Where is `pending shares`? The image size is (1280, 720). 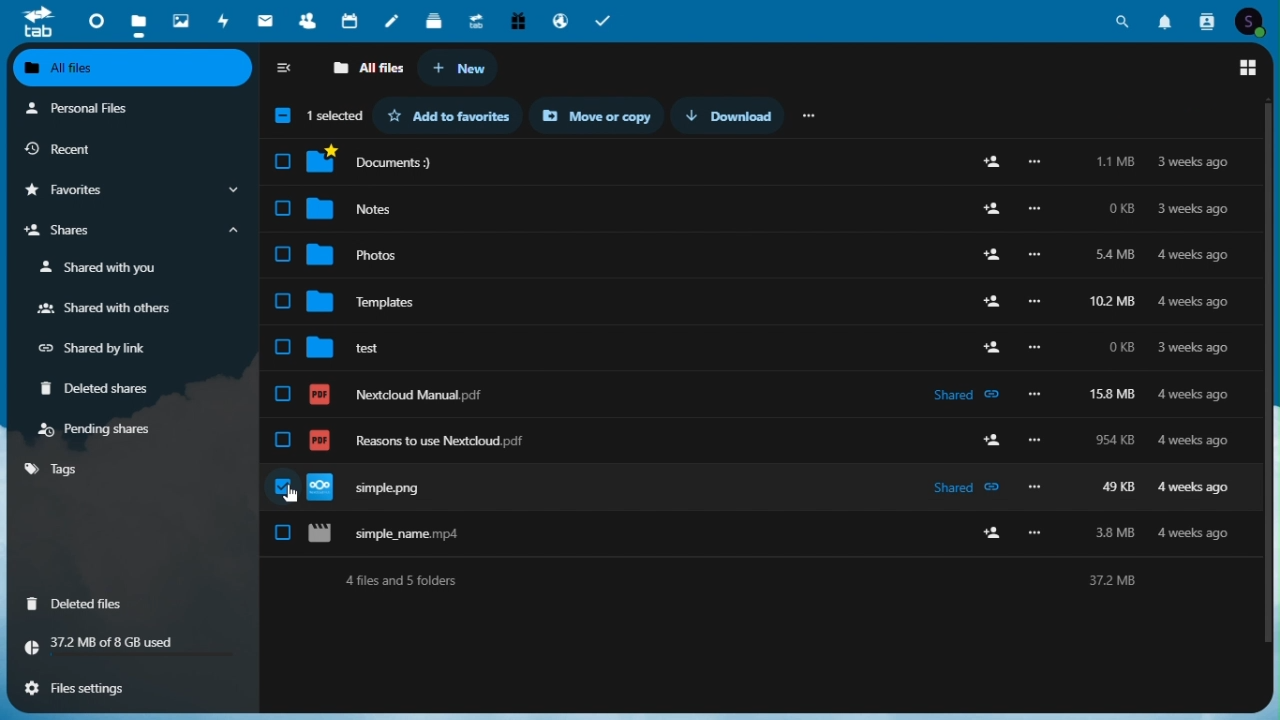 pending shares is located at coordinates (100, 429).